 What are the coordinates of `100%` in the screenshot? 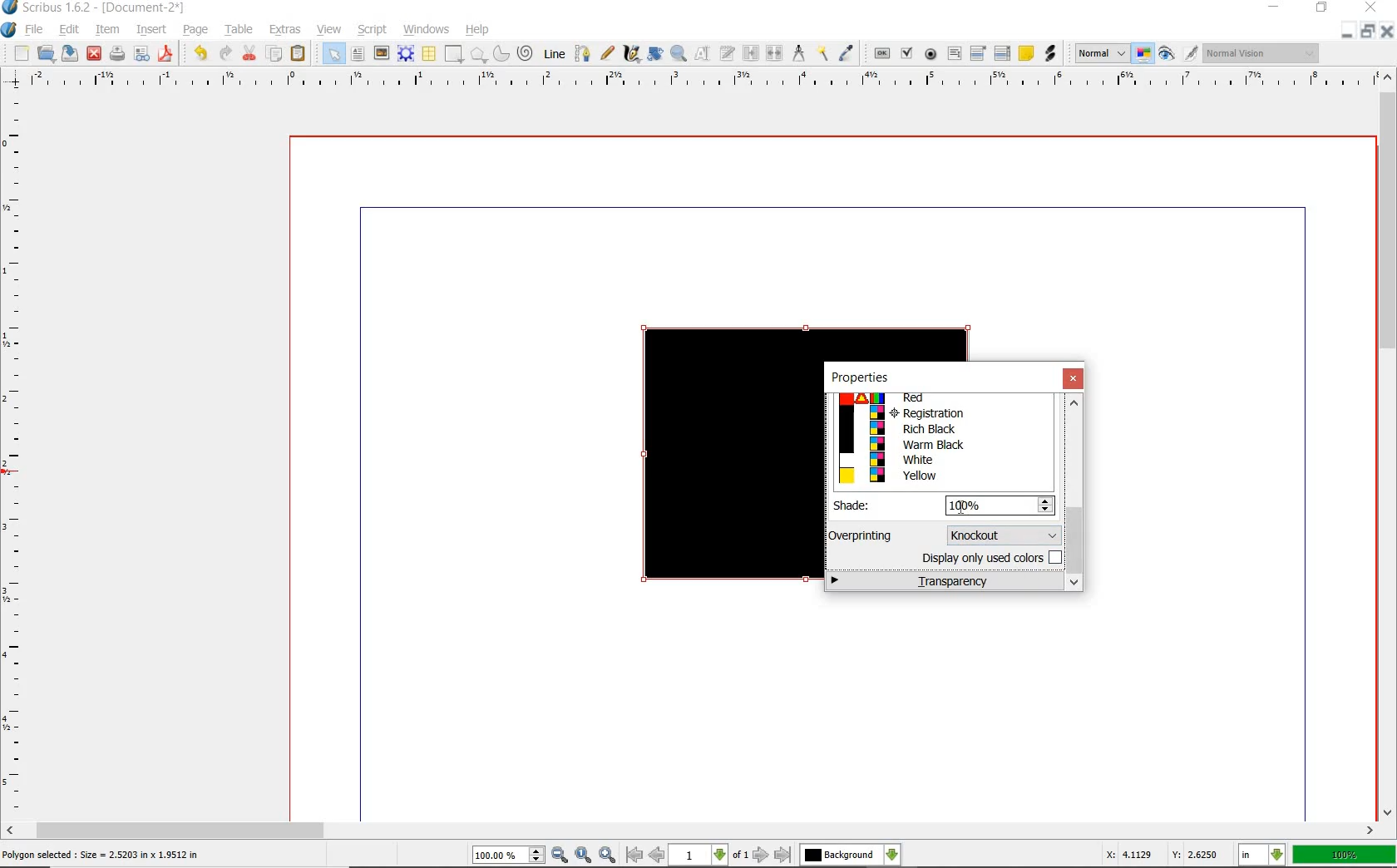 It's located at (1344, 856).